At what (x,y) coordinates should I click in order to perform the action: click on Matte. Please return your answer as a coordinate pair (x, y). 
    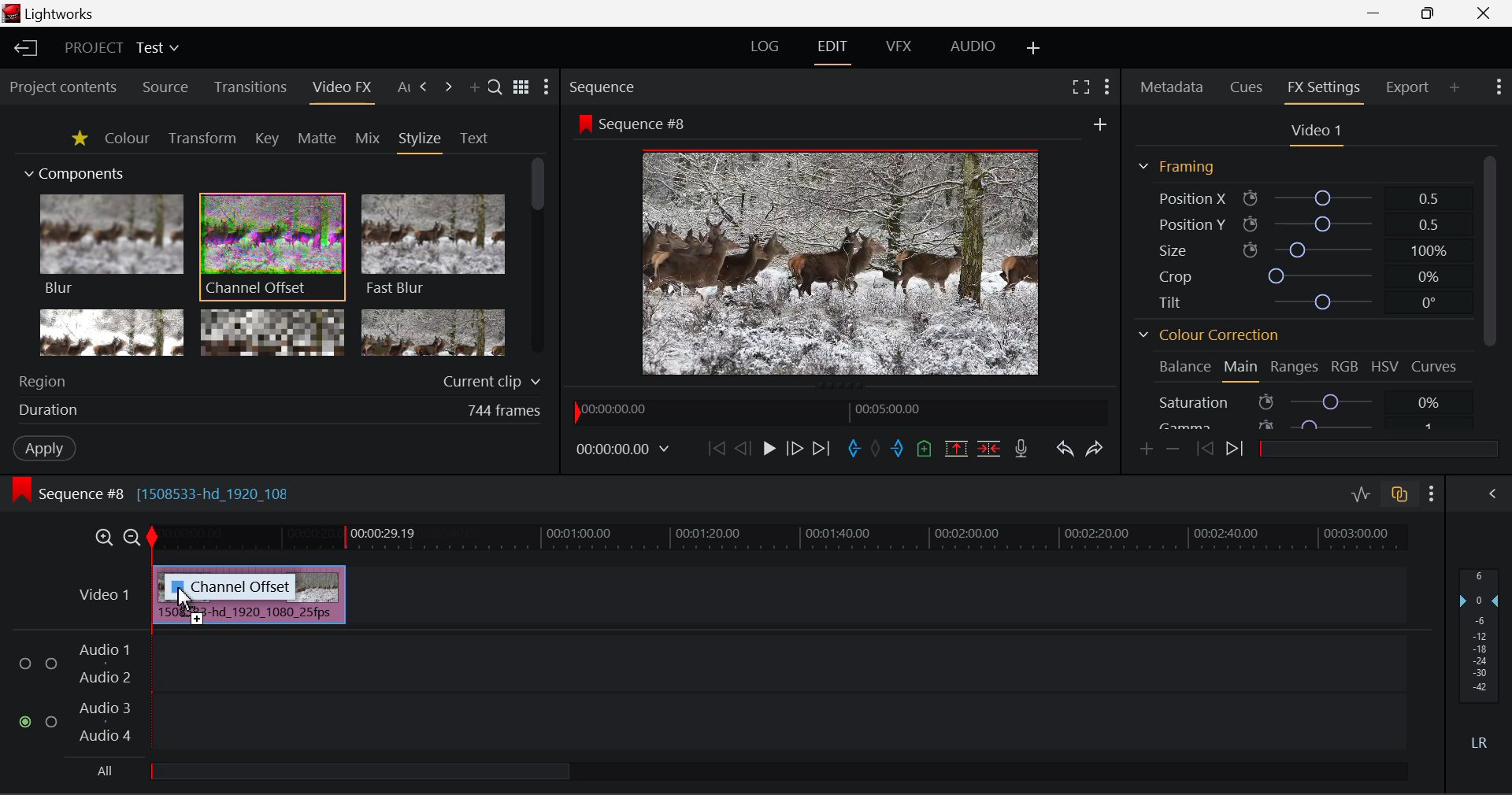
    Looking at the image, I should click on (317, 139).